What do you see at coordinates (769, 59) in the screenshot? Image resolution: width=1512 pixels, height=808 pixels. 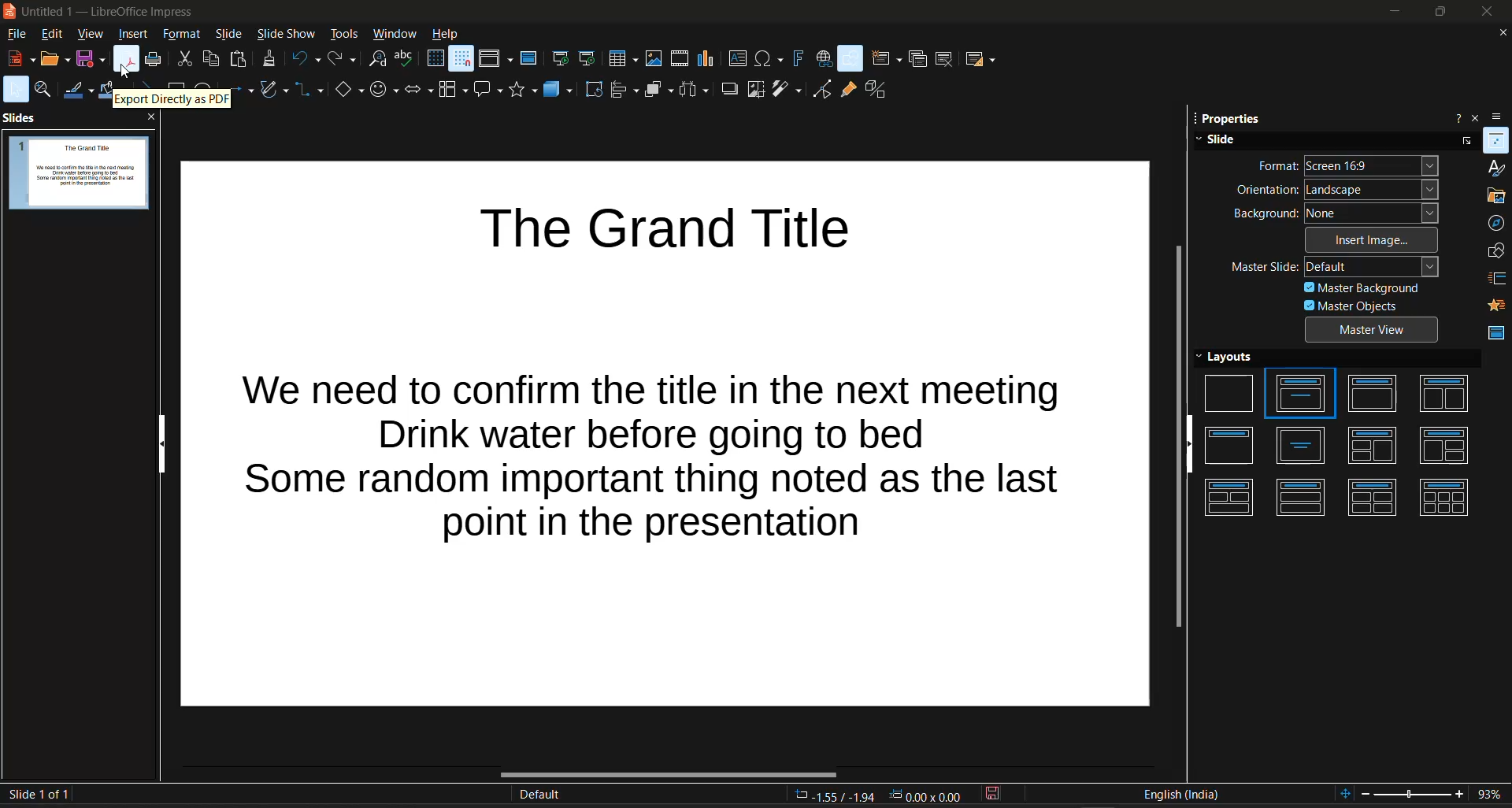 I see `insert special characters` at bounding box center [769, 59].